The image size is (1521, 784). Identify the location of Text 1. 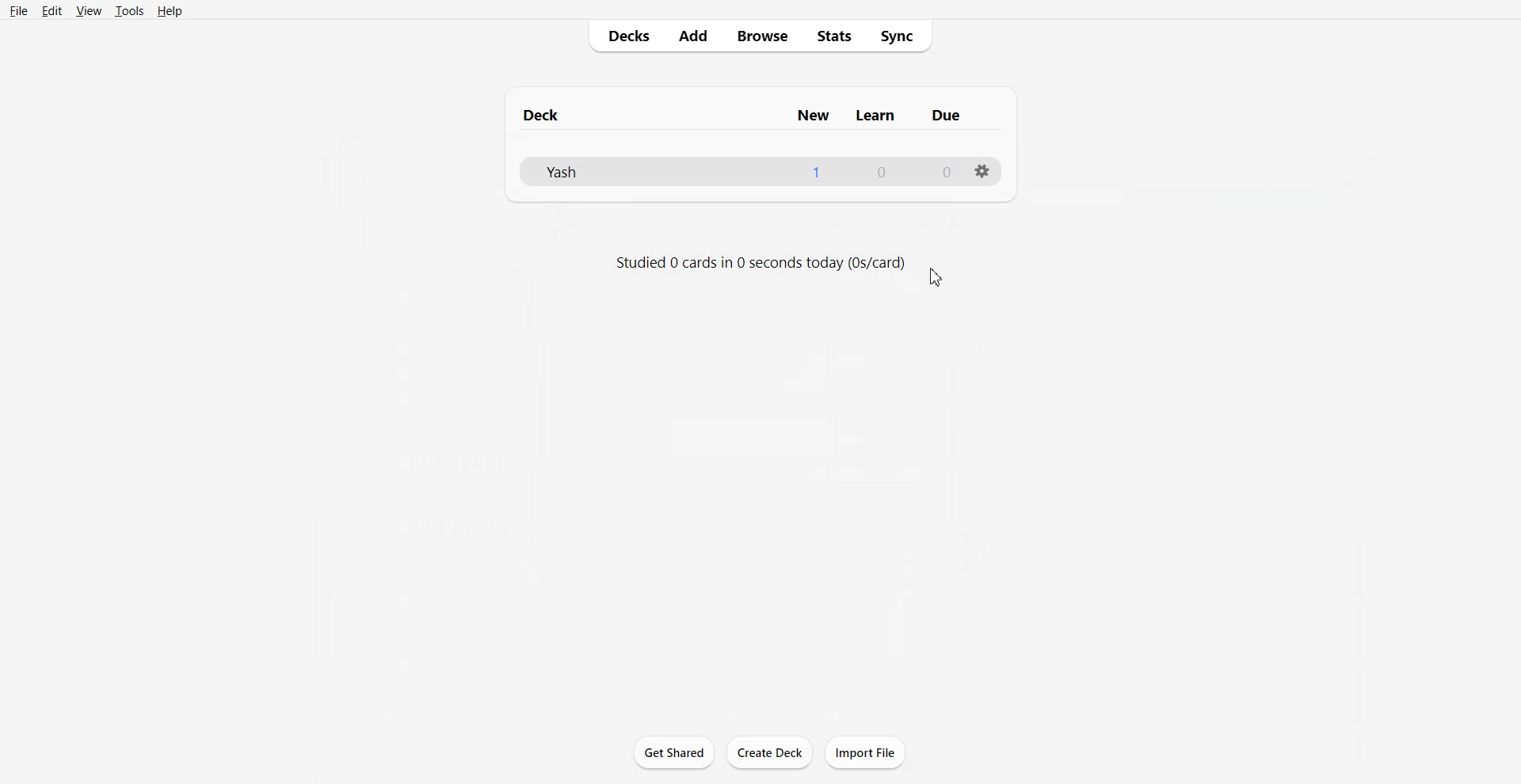
(745, 116).